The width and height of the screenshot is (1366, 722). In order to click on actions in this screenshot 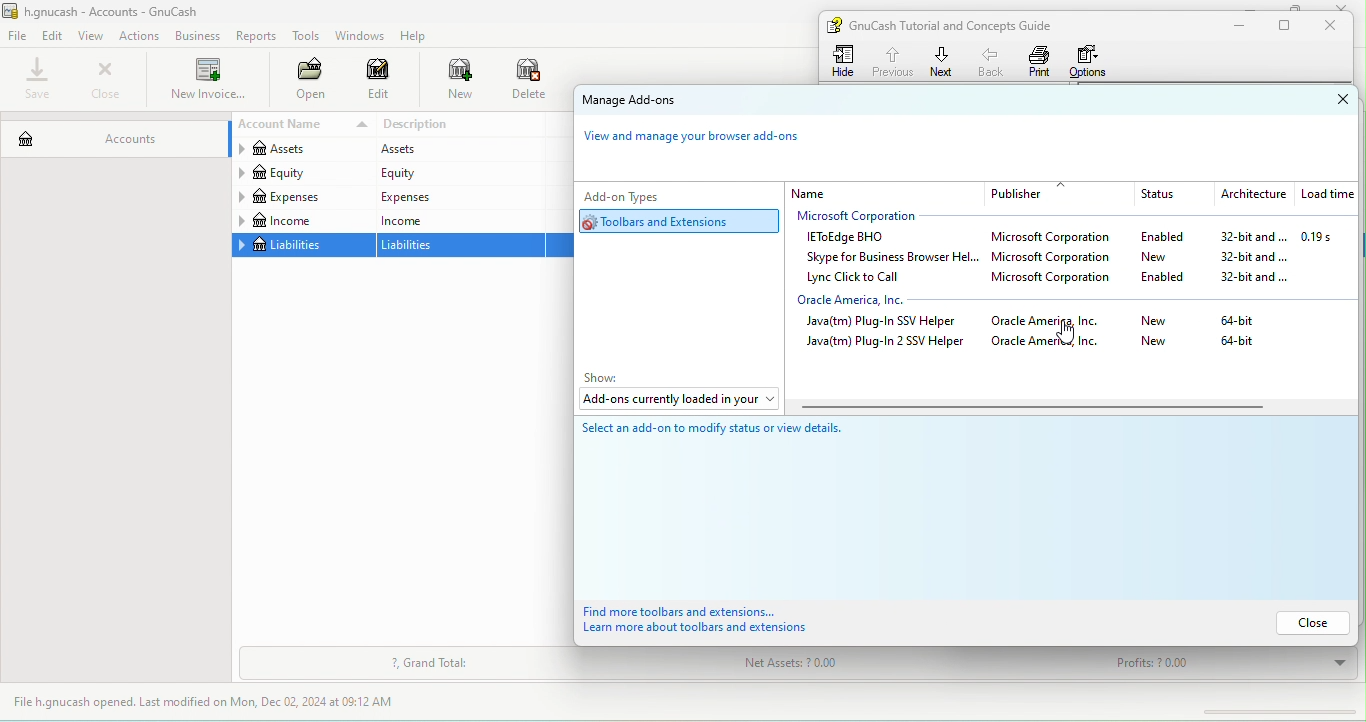, I will do `click(143, 36)`.